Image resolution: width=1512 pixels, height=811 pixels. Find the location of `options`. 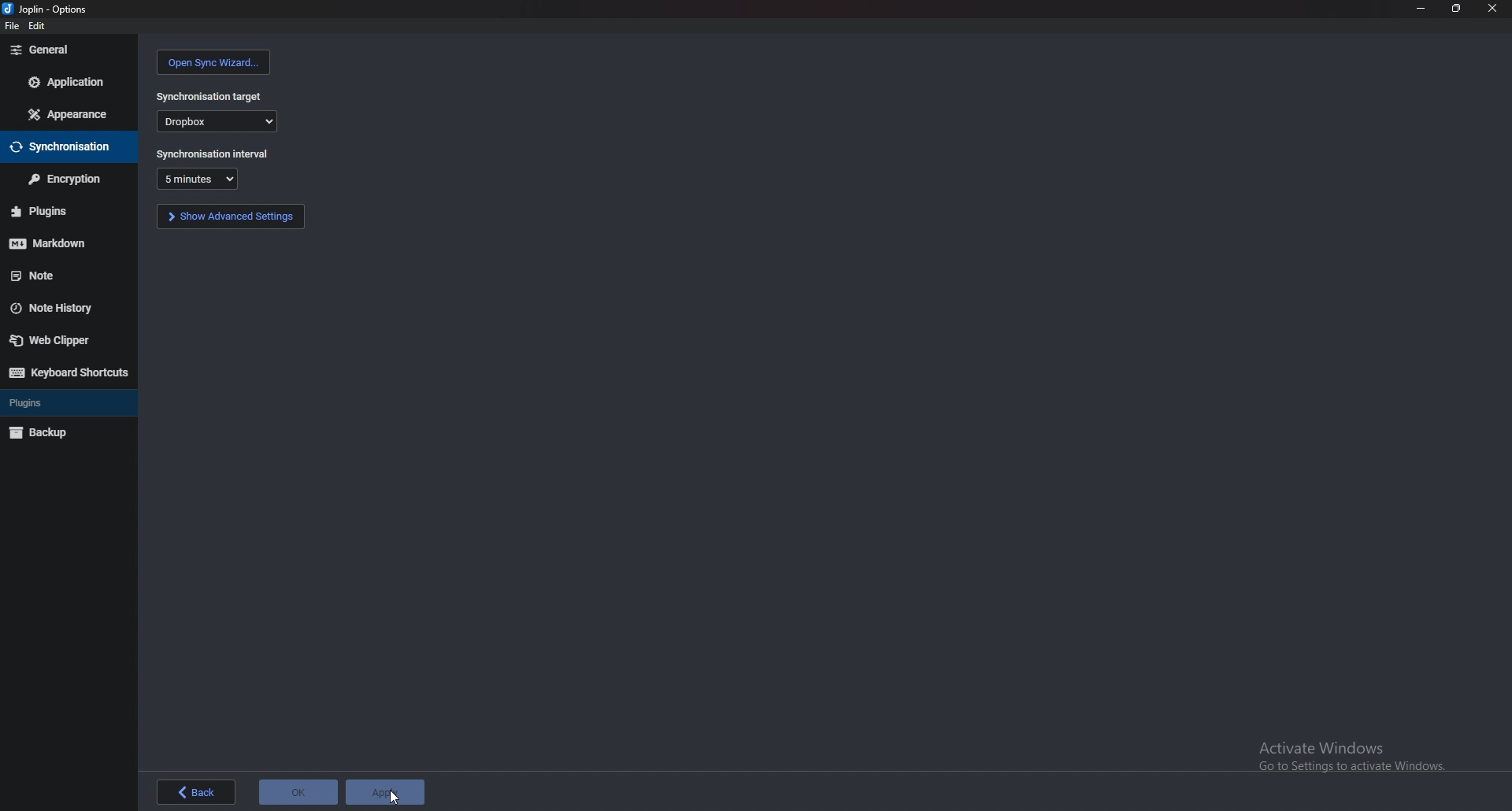

options is located at coordinates (54, 8).